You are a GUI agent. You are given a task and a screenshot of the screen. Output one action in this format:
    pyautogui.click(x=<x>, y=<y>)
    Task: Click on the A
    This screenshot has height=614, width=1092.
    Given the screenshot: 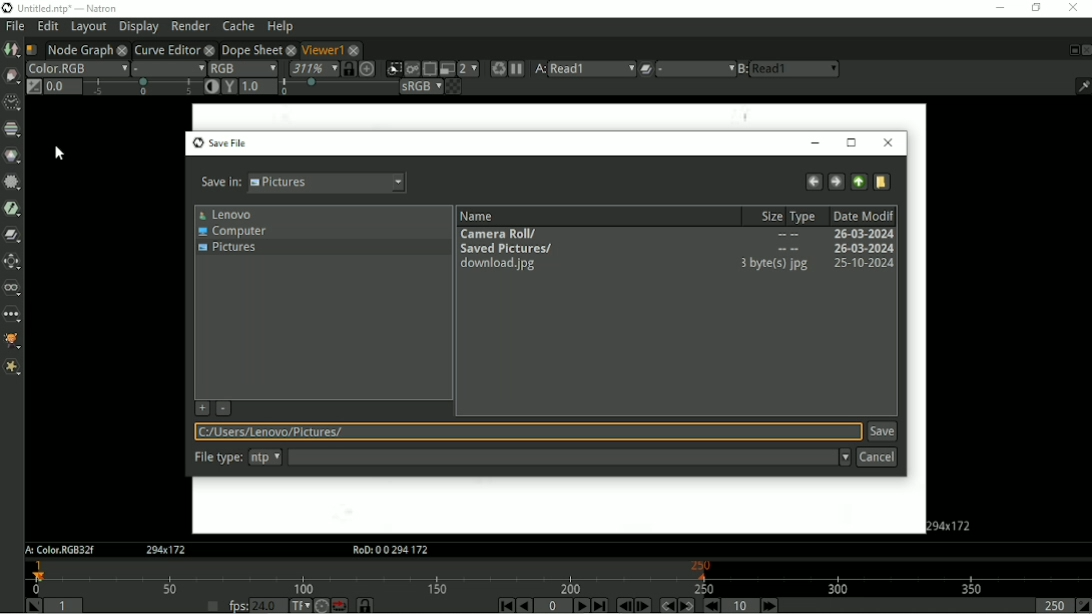 What is the action you would take?
    pyautogui.click(x=59, y=550)
    